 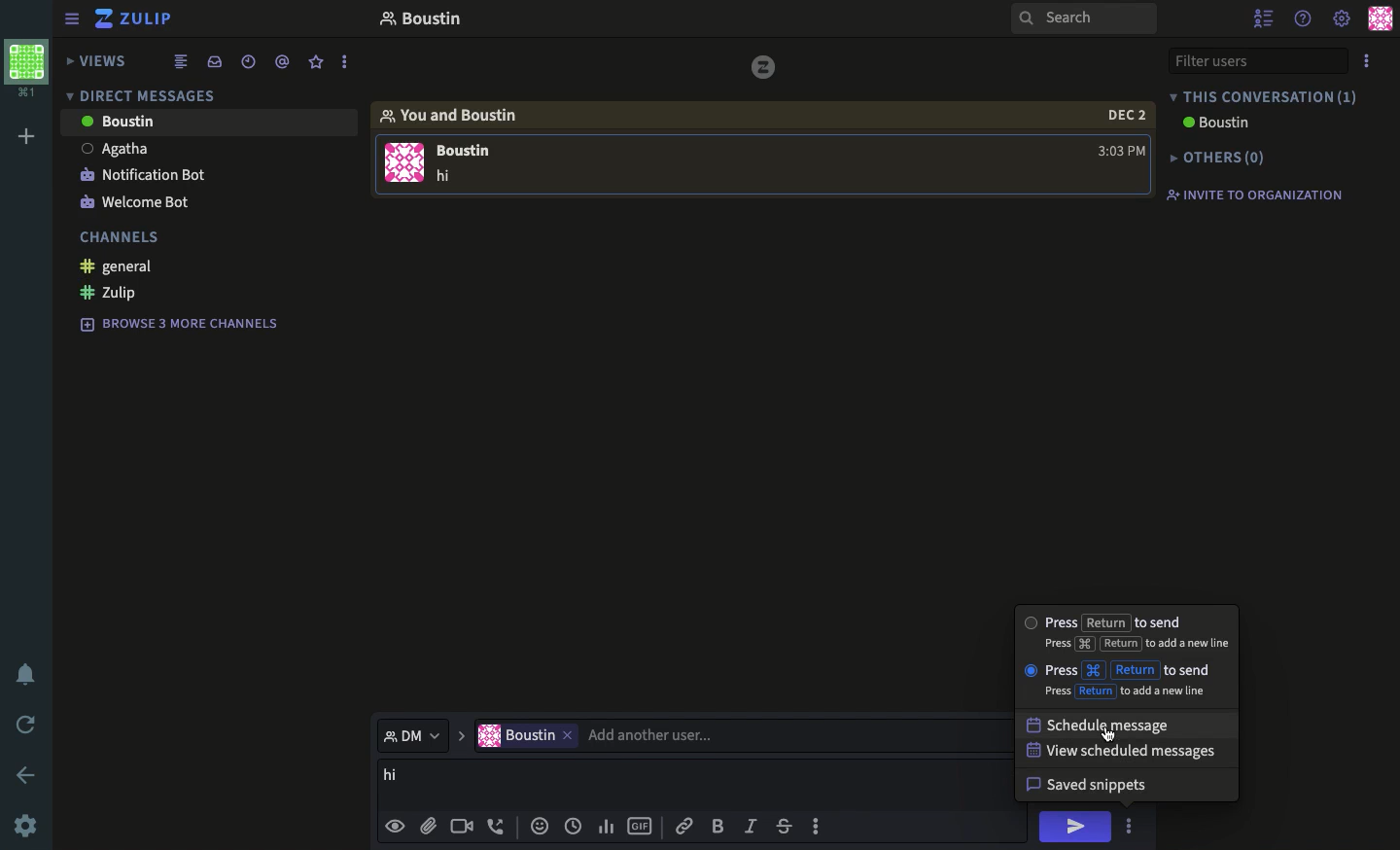 What do you see at coordinates (420, 735) in the screenshot?
I see `dm` at bounding box center [420, 735].